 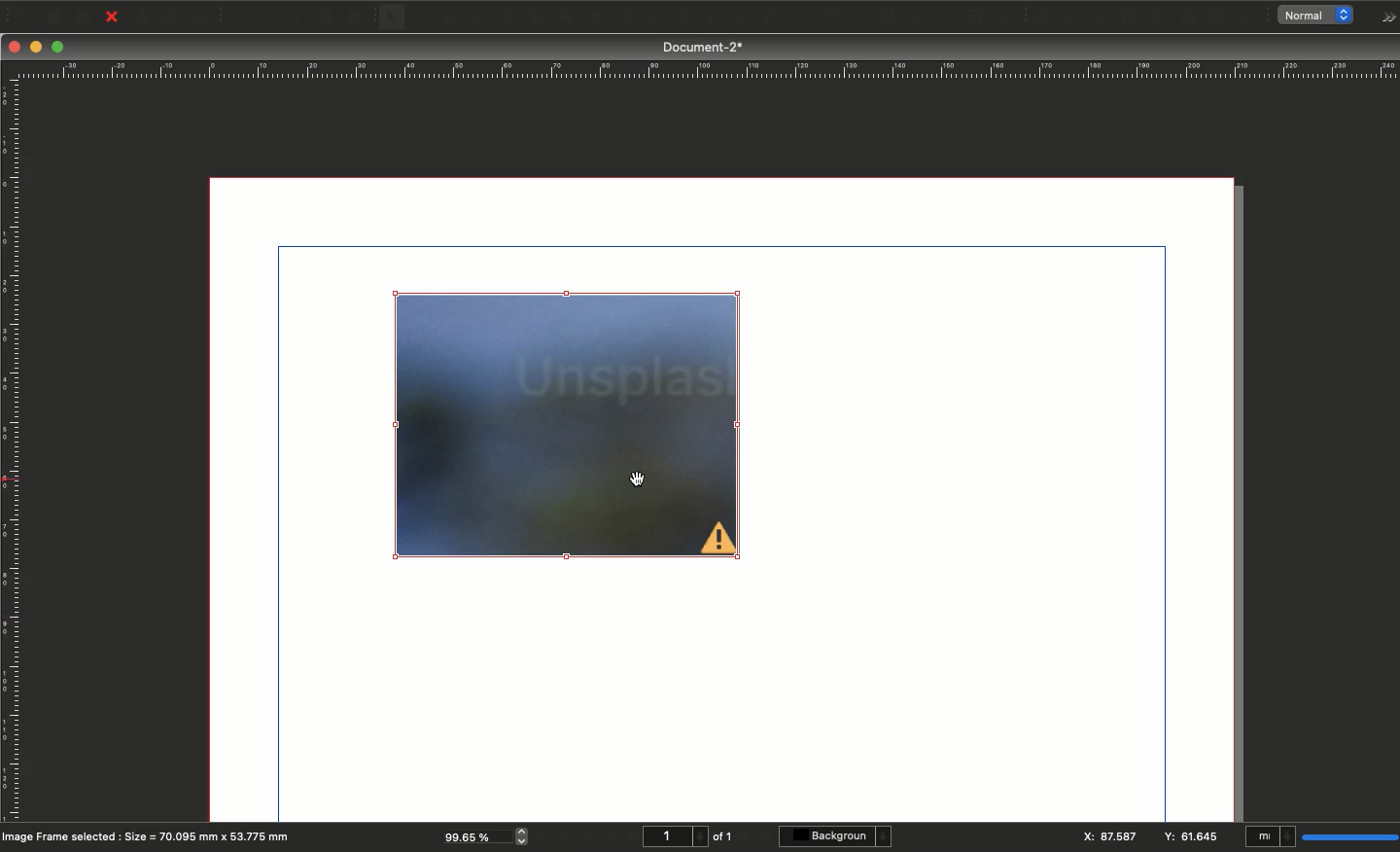 What do you see at coordinates (838, 836) in the screenshot?
I see `Background` at bounding box center [838, 836].